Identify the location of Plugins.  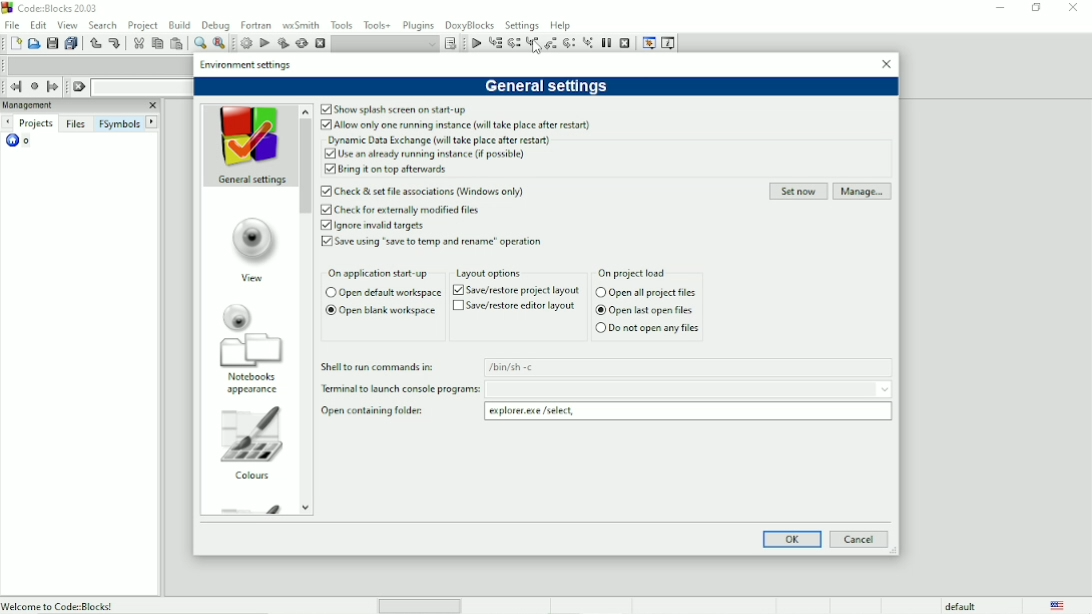
(419, 26).